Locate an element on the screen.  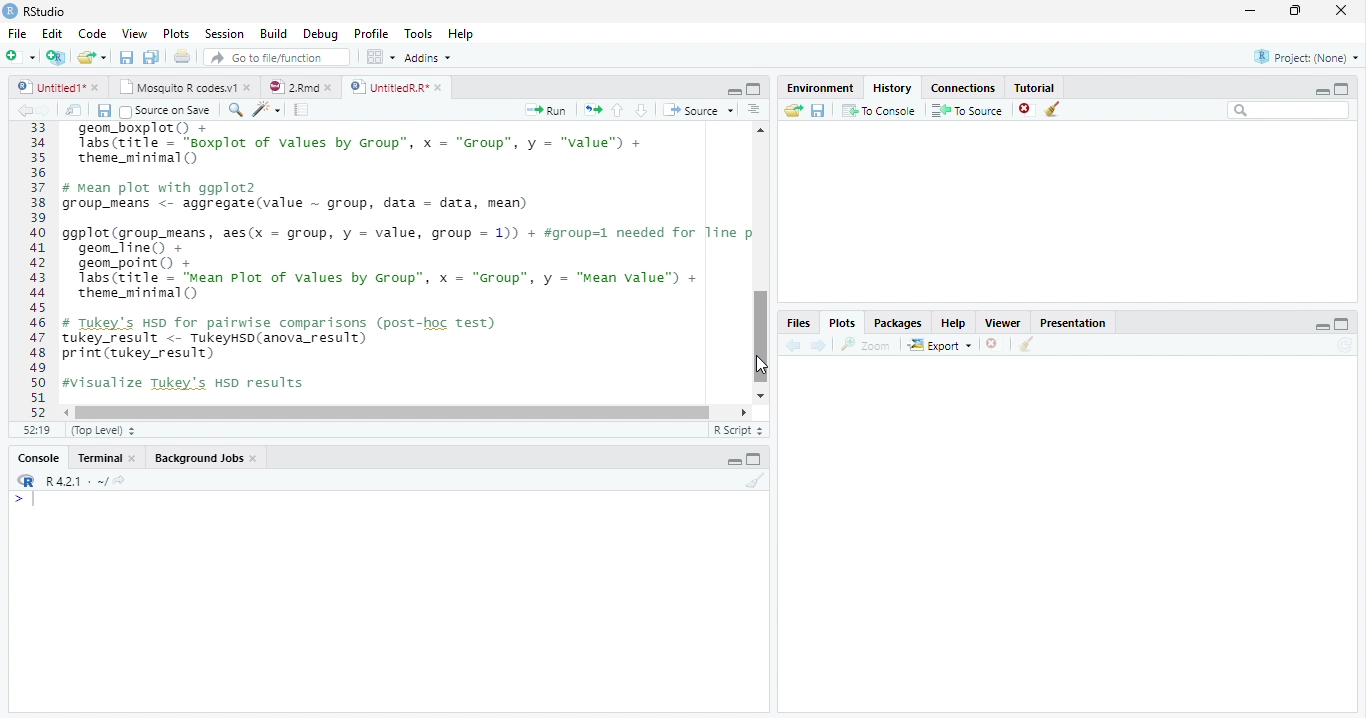
Delete file is located at coordinates (1028, 109).